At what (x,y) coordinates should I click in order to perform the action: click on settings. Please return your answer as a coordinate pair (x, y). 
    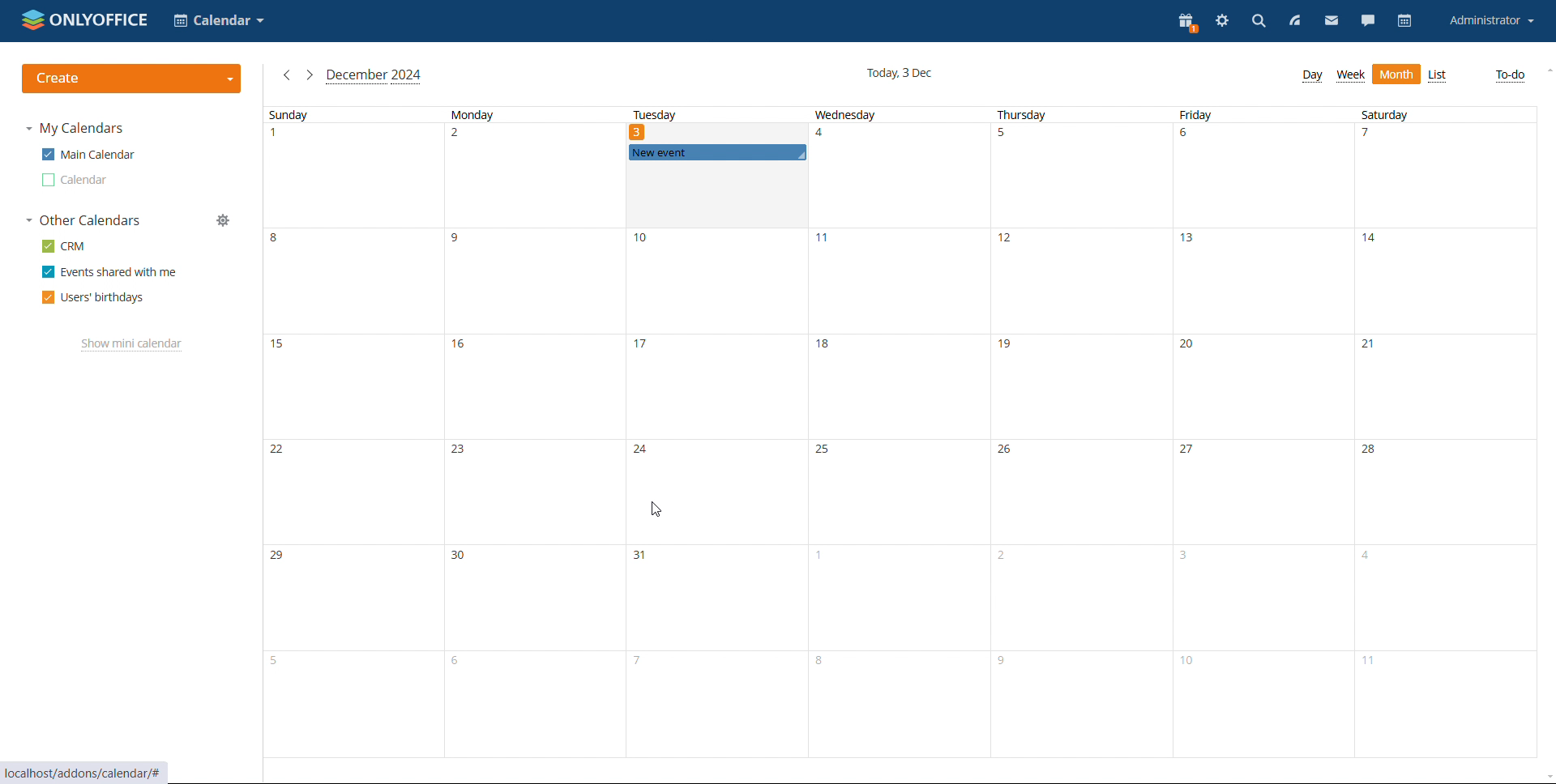
    Looking at the image, I should click on (1223, 21).